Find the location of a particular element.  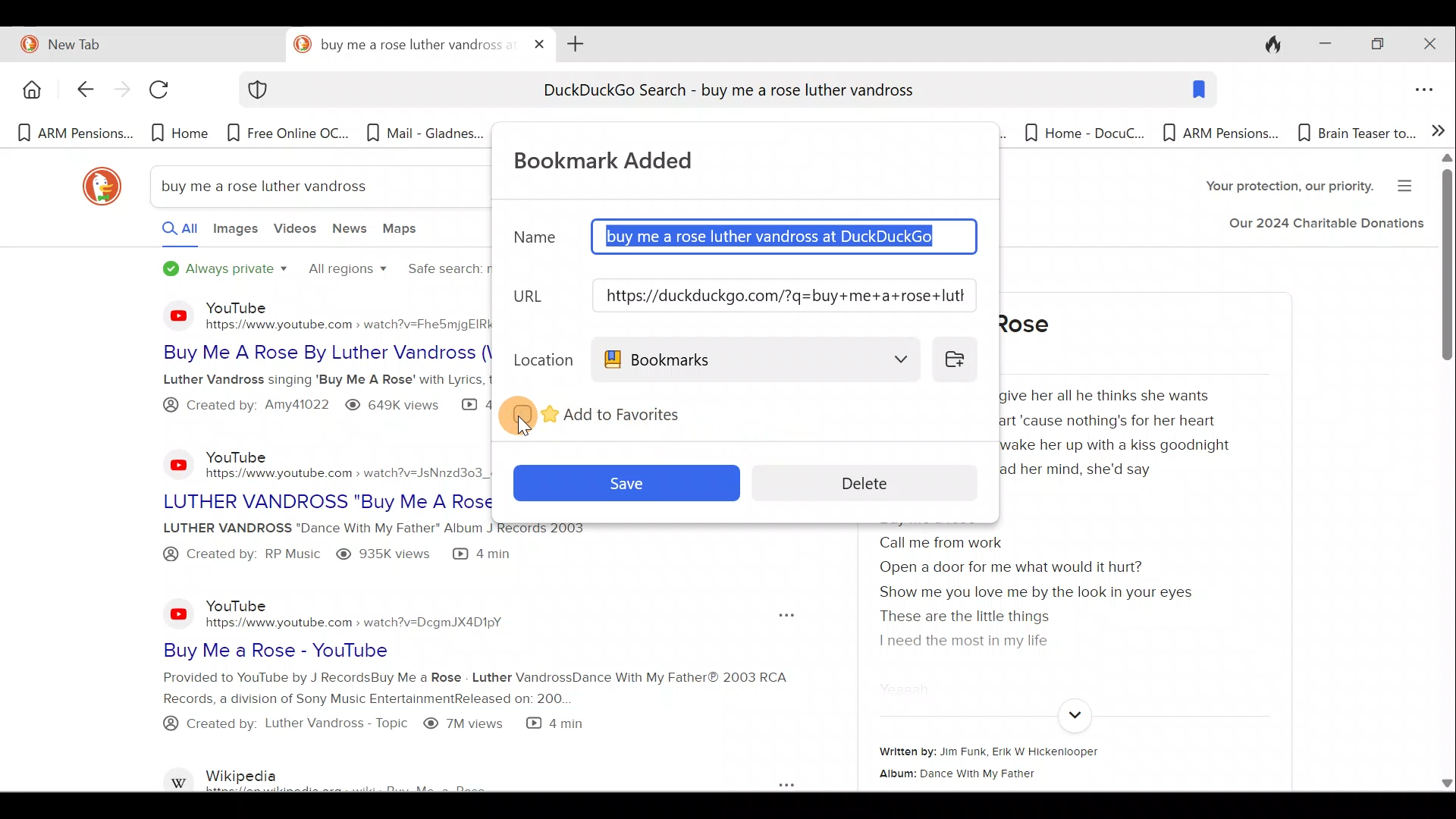

Images is located at coordinates (234, 233).